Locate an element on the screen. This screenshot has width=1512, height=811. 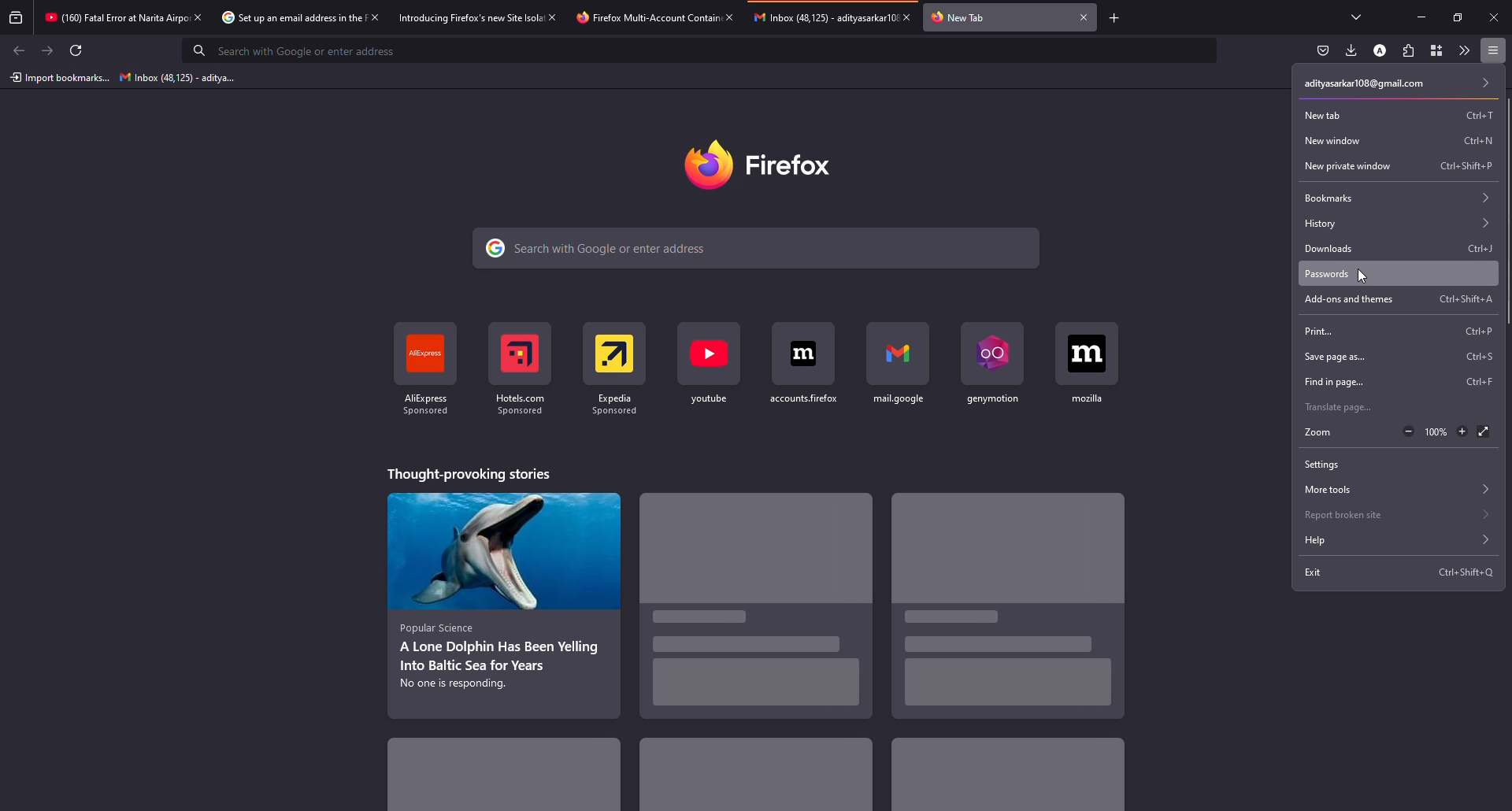
save to pocket is located at coordinates (1323, 50).